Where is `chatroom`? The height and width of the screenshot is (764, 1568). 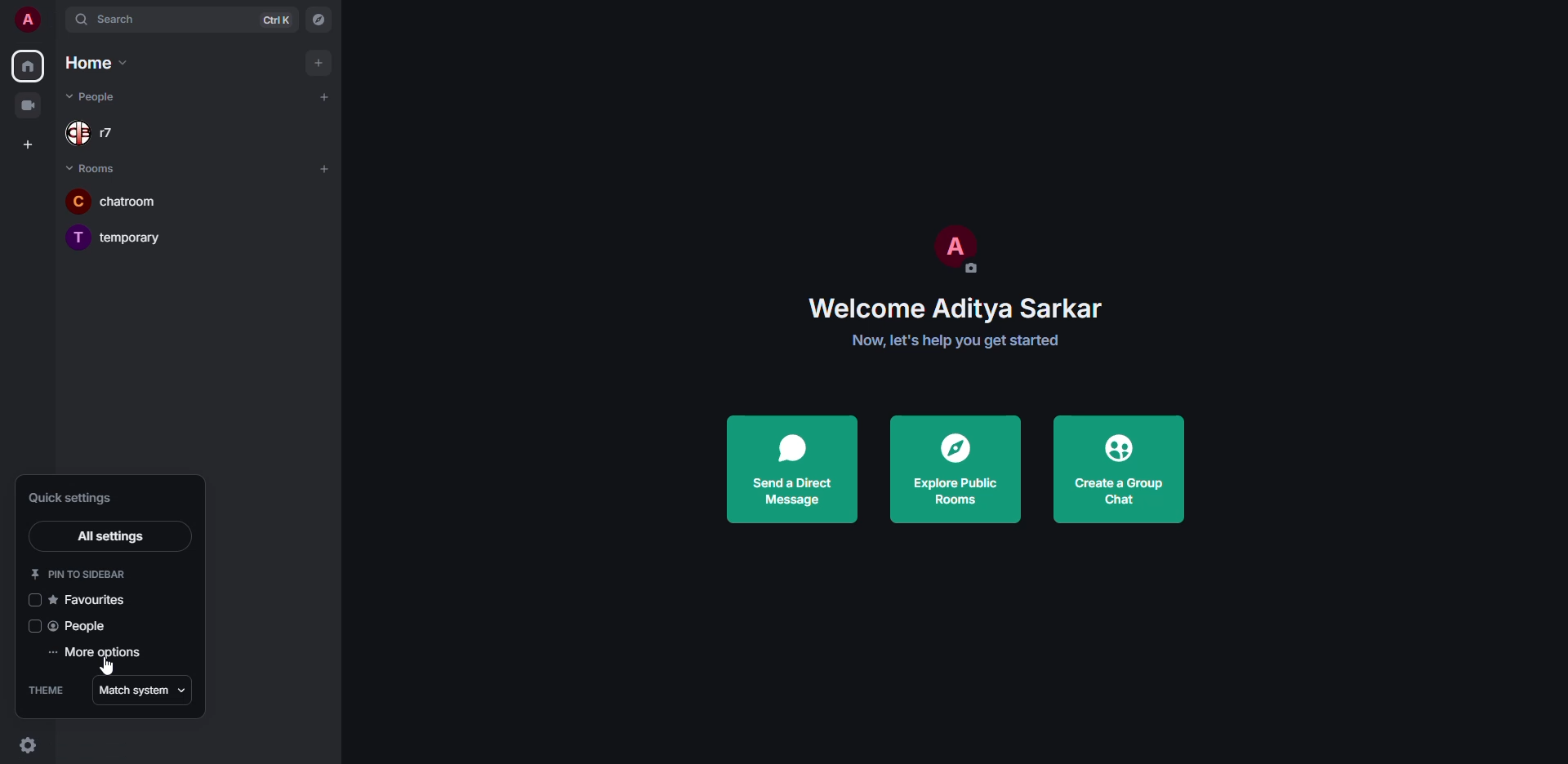
chatroom is located at coordinates (128, 201).